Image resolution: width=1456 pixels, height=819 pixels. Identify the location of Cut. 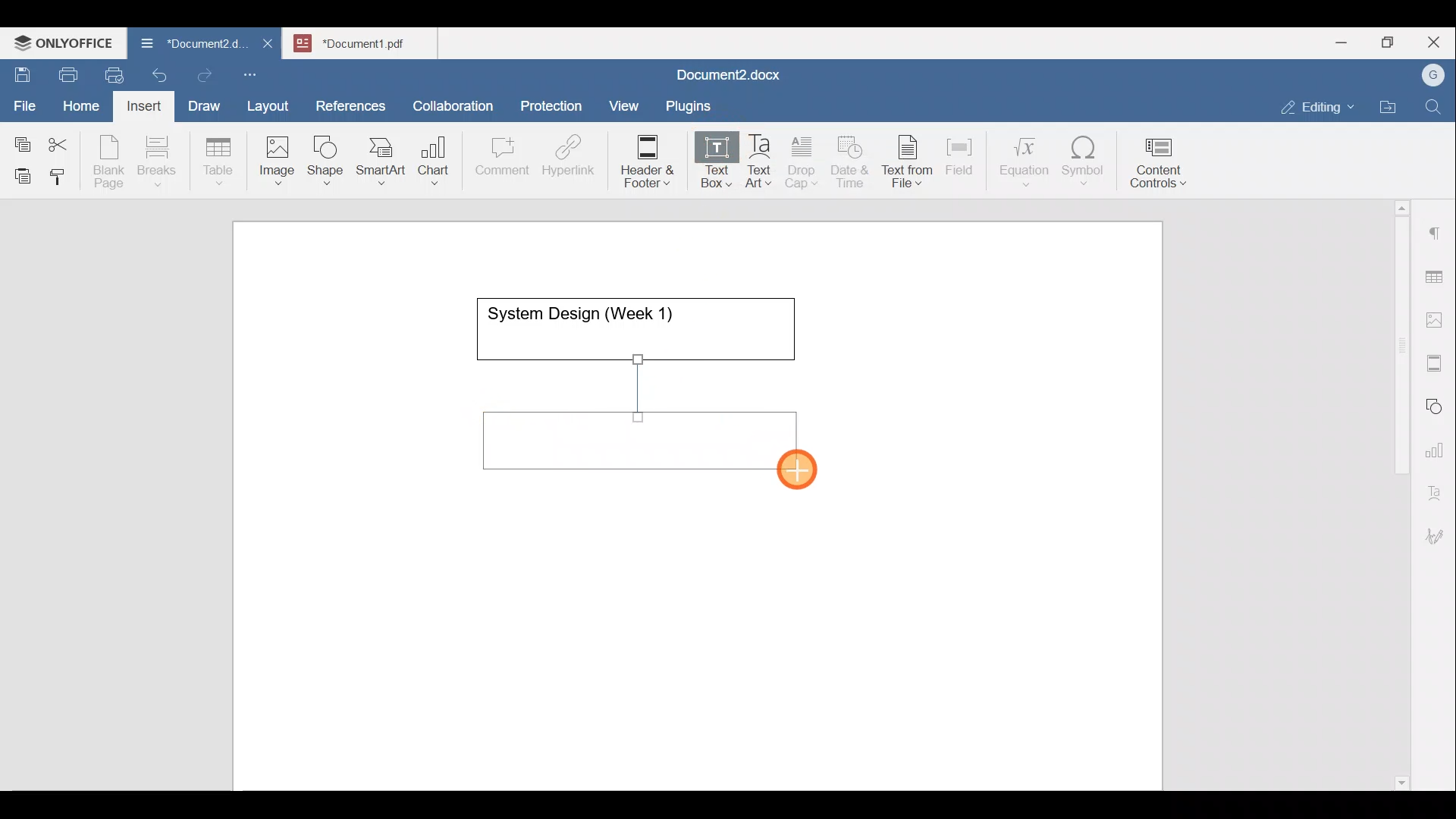
(64, 141).